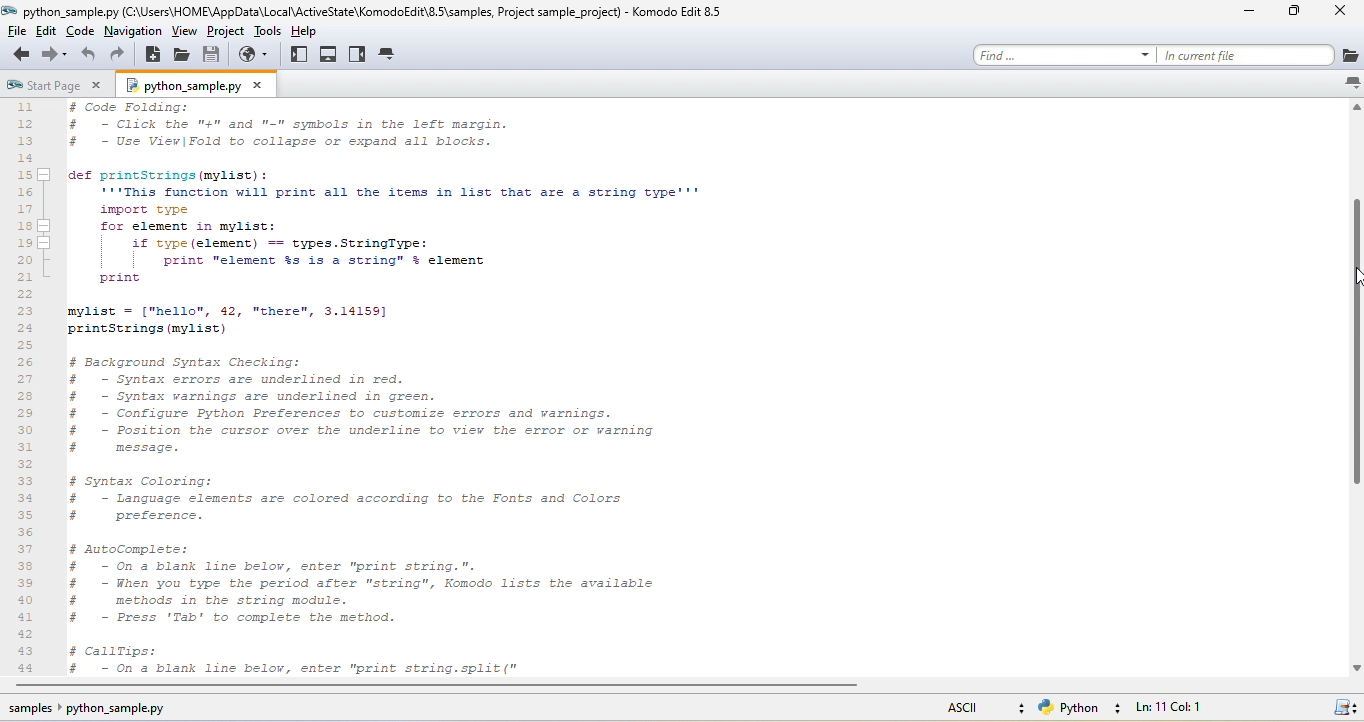 The height and width of the screenshot is (722, 1364). What do you see at coordinates (122, 57) in the screenshot?
I see `redo` at bounding box center [122, 57].